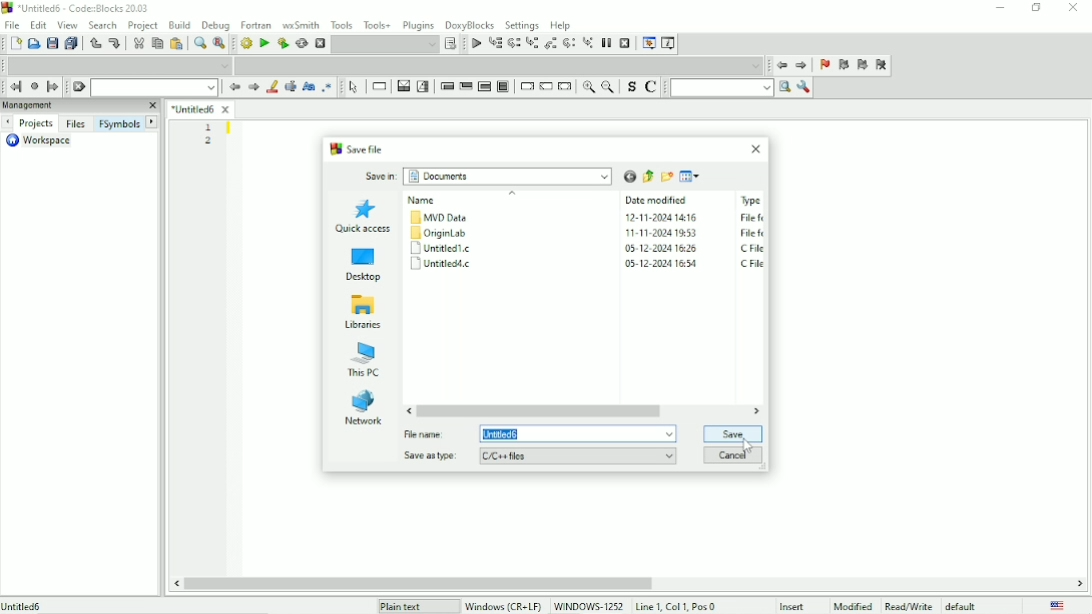  I want to click on Toggle comments, so click(652, 87).